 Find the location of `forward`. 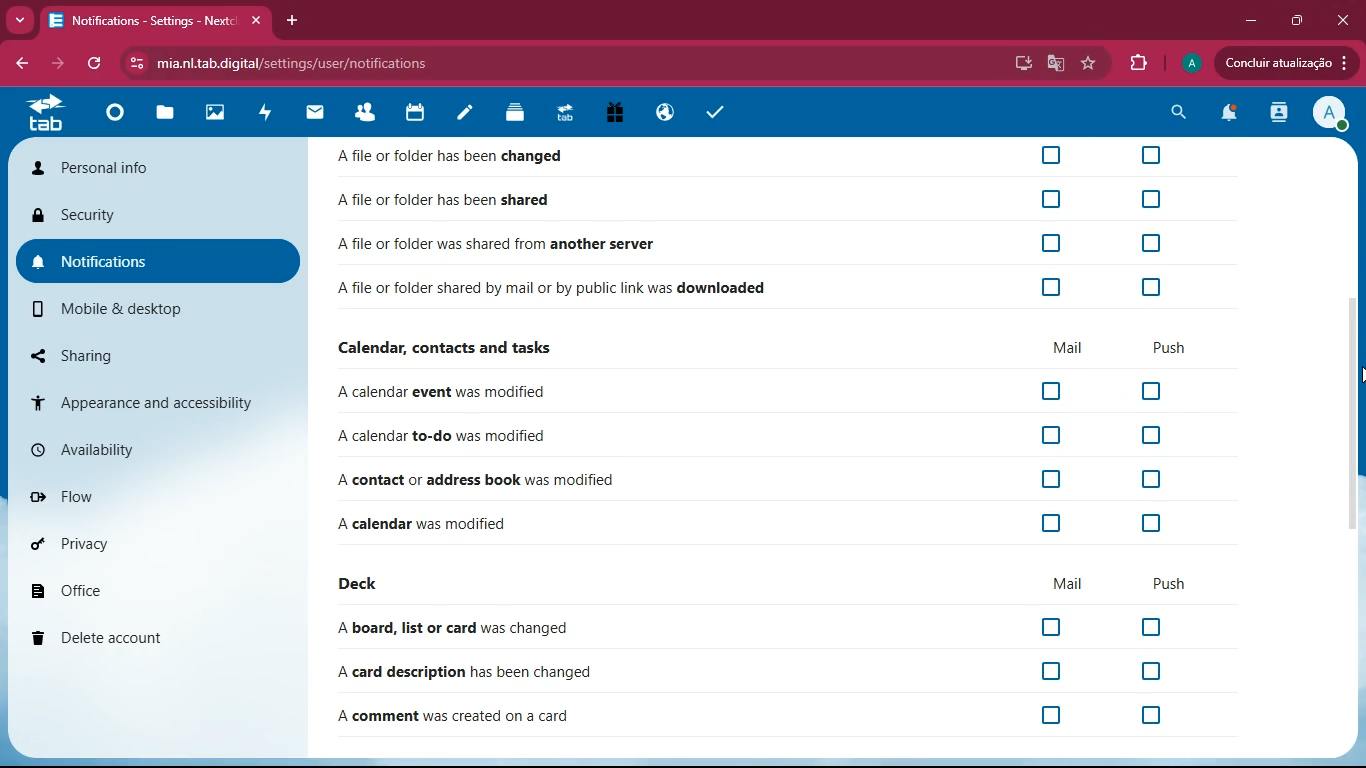

forward is located at coordinates (61, 64).